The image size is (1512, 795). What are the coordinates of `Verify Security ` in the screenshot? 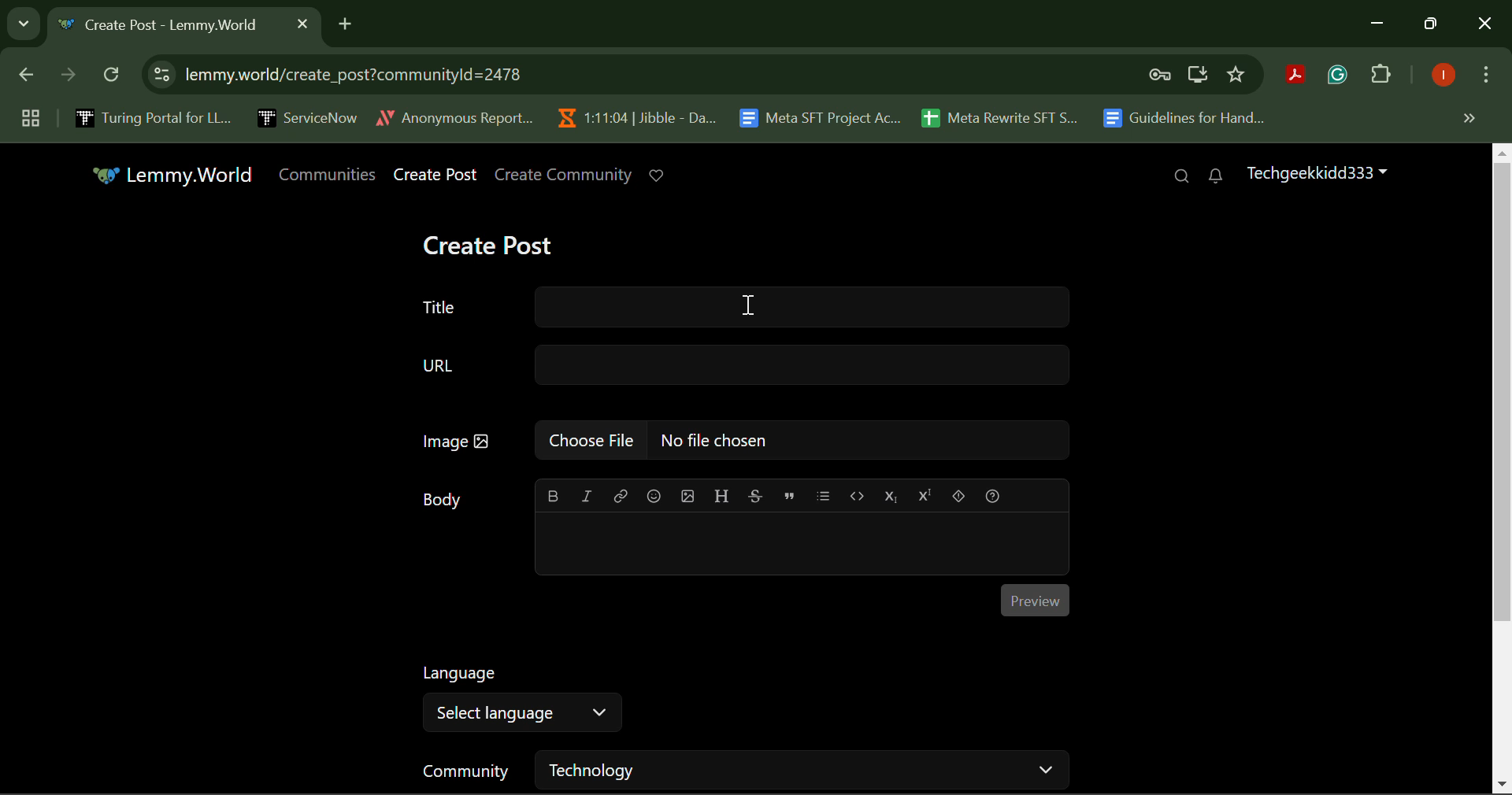 It's located at (1162, 75).